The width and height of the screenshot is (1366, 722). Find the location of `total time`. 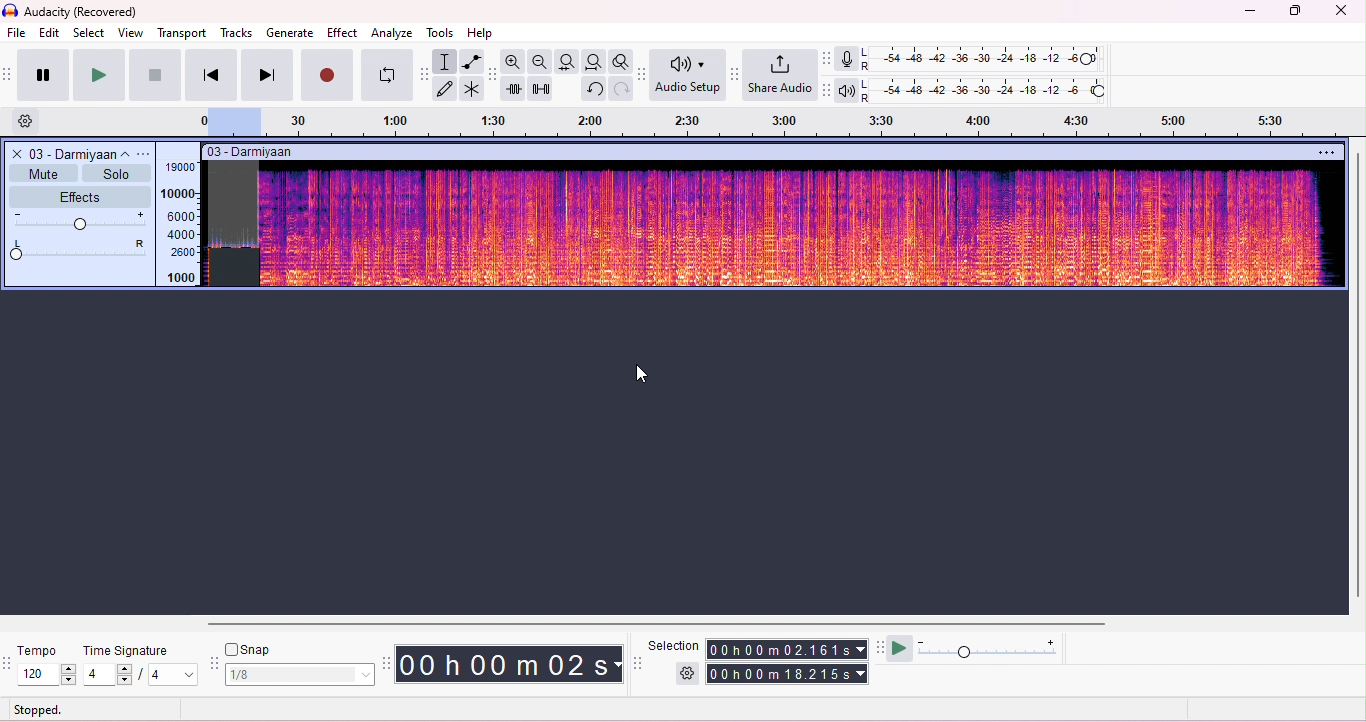

total time is located at coordinates (789, 674).